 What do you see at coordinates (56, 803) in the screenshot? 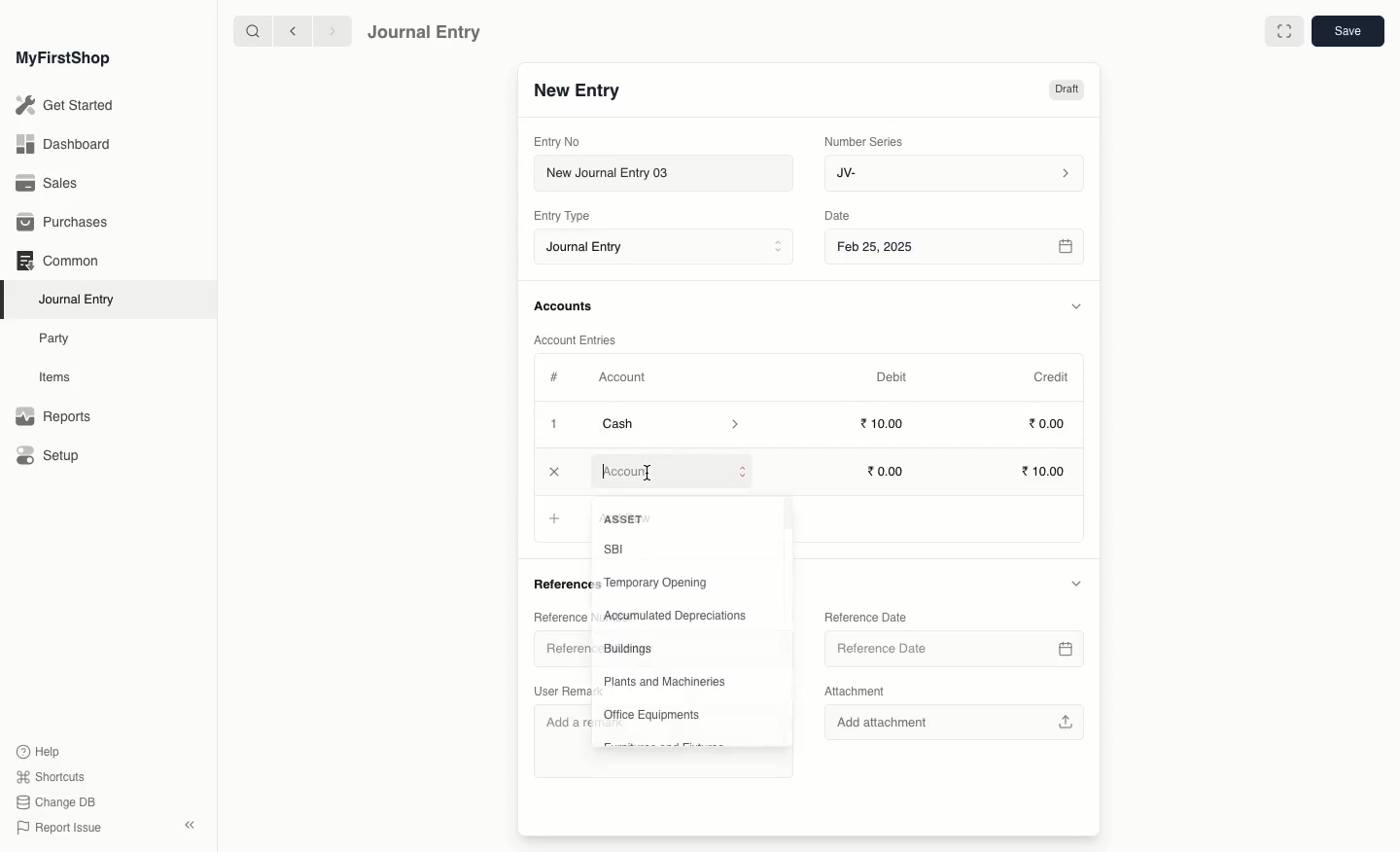
I see `Change DB` at bounding box center [56, 803].